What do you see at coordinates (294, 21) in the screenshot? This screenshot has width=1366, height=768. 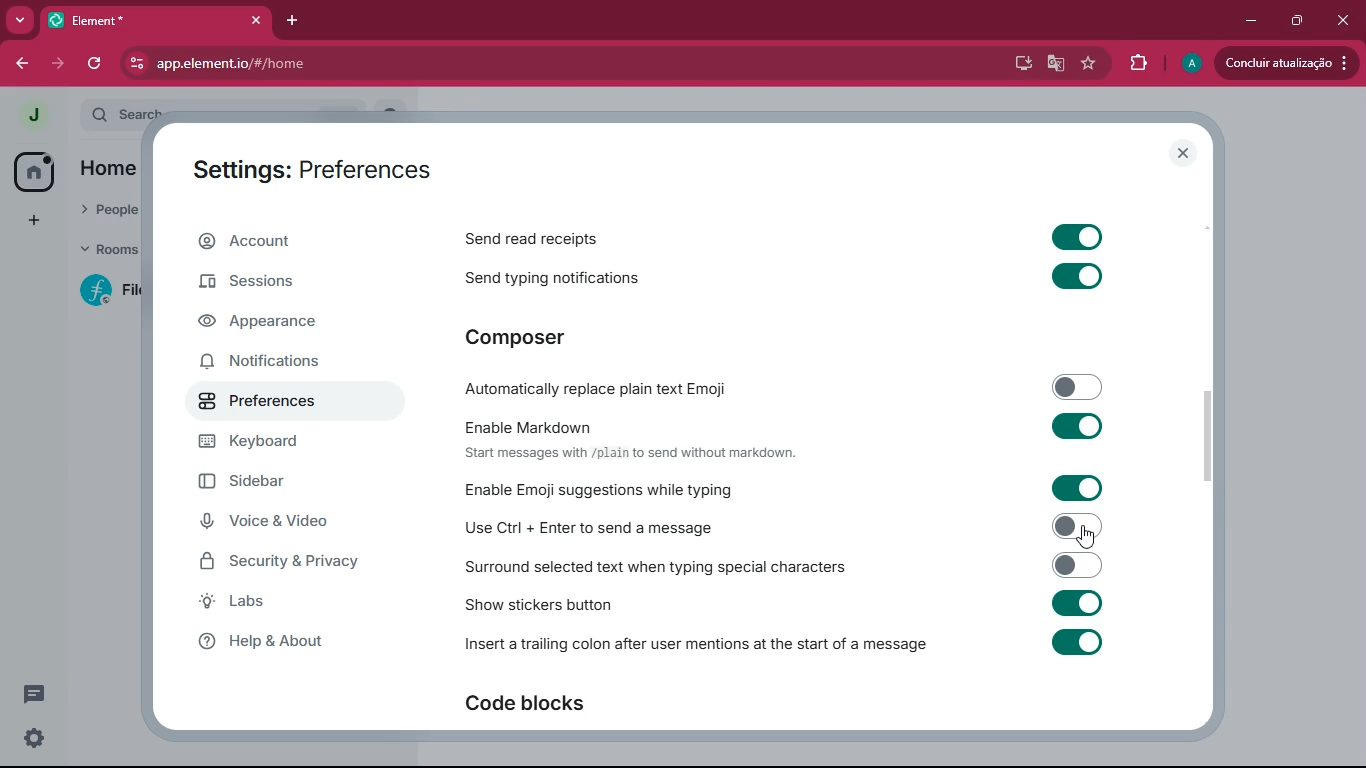 I see `add tab` at bounding box center [294, 21].